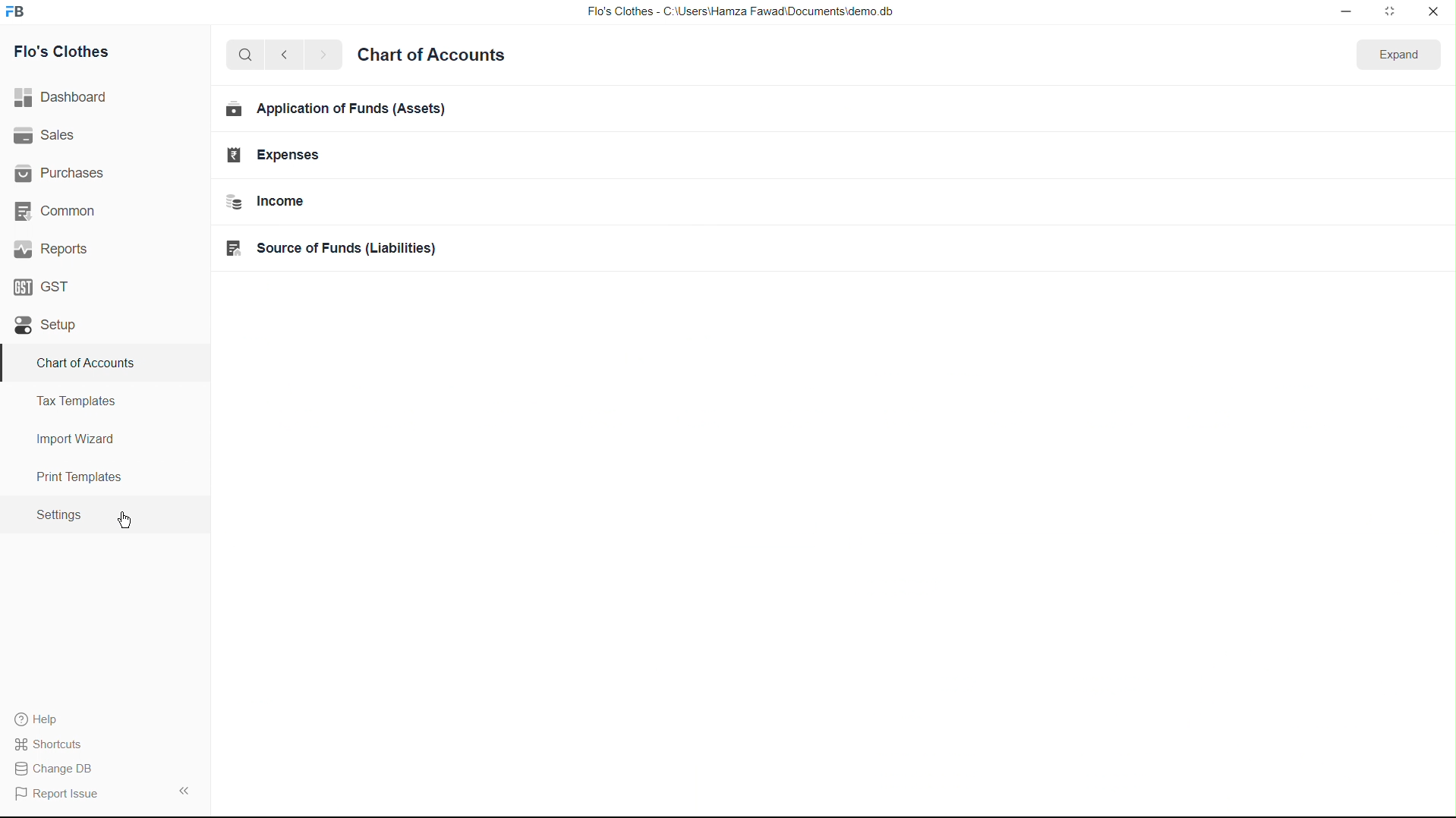  What do you see at coordinates (58, 769) in the screenshot?
I see `Change DB` at bounding box center [58, 769].